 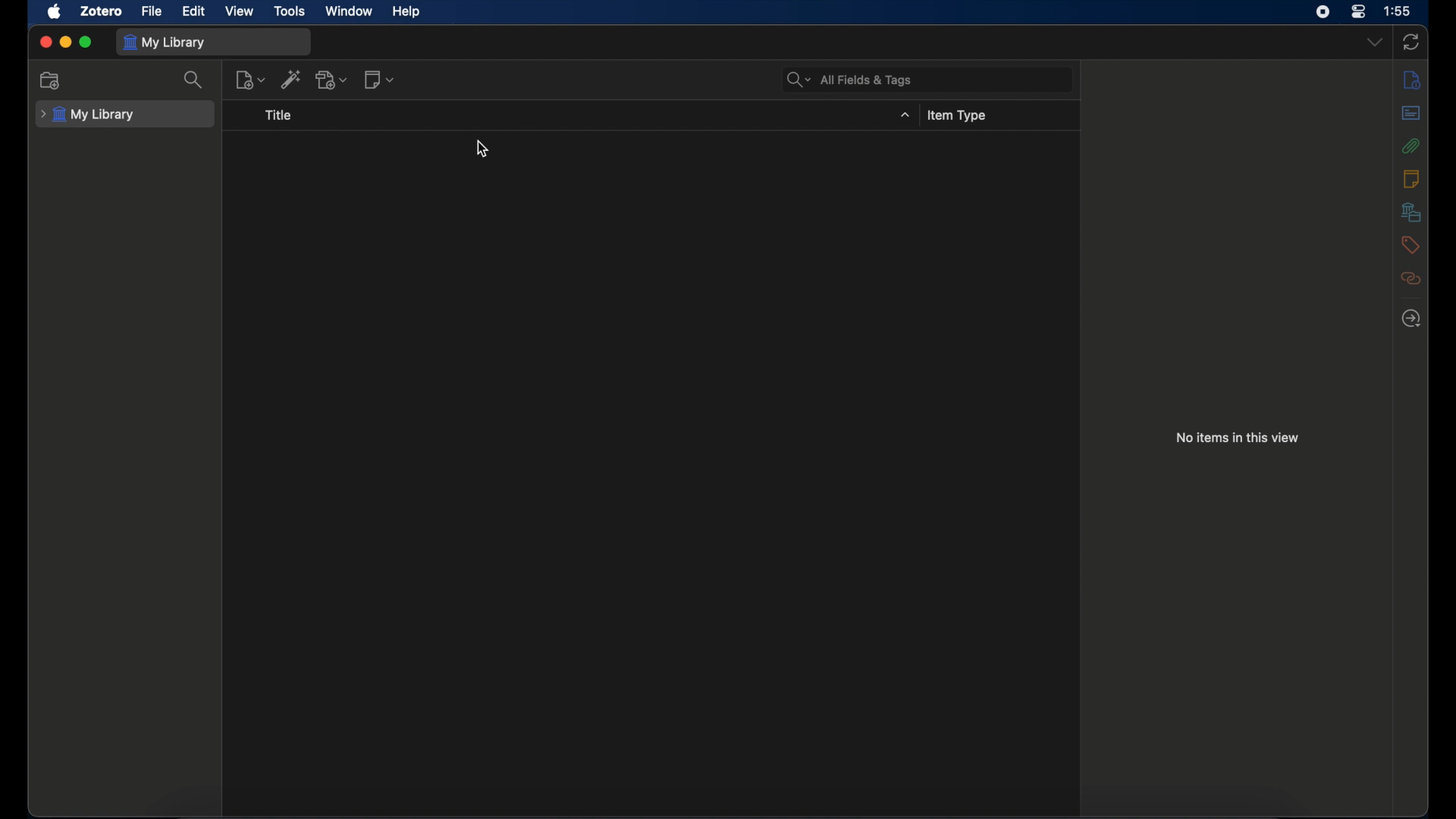 What do you see at coordinates (1323, 12) in the screenshot?
I see `screen recorder` at bounding box center [1323, 12].